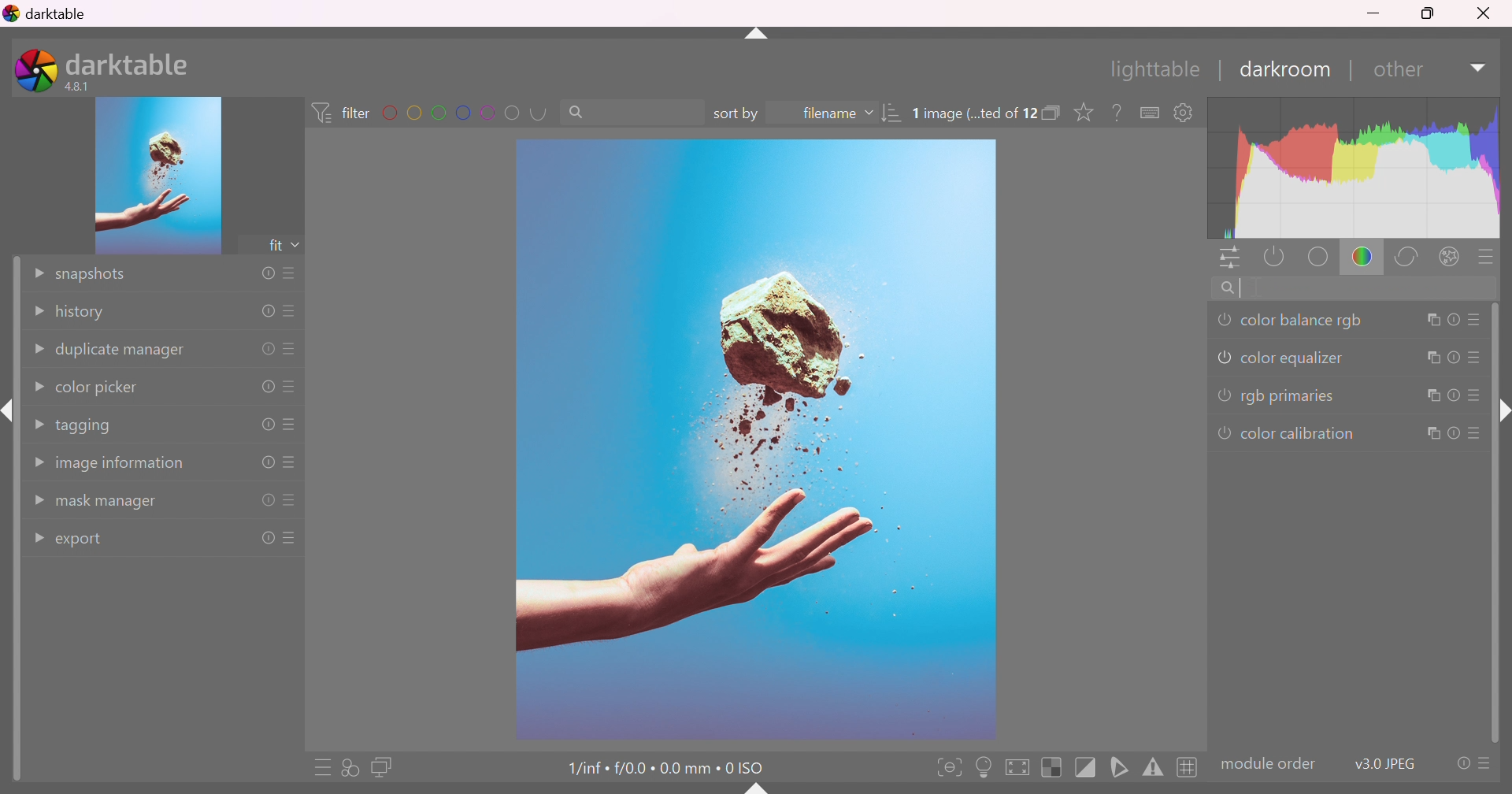 Image resolution: width=1512 pixels, height=794 pixels. What do you see at coordinates (1477, 394) in the screenshot?
I see `presets` at bounding box center [1477, 394].